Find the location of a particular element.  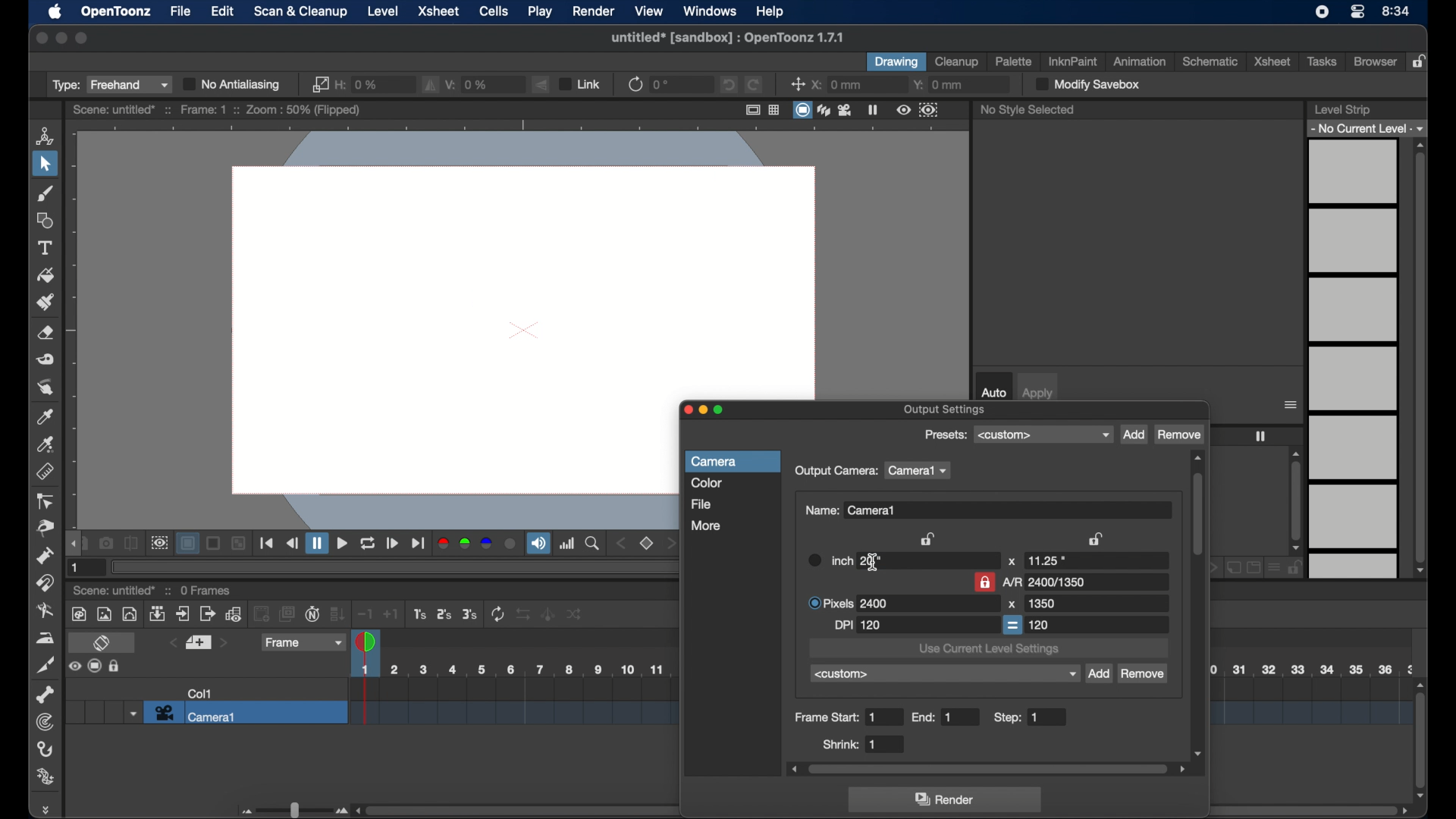

blender tool is located at coordinates (45, 611).